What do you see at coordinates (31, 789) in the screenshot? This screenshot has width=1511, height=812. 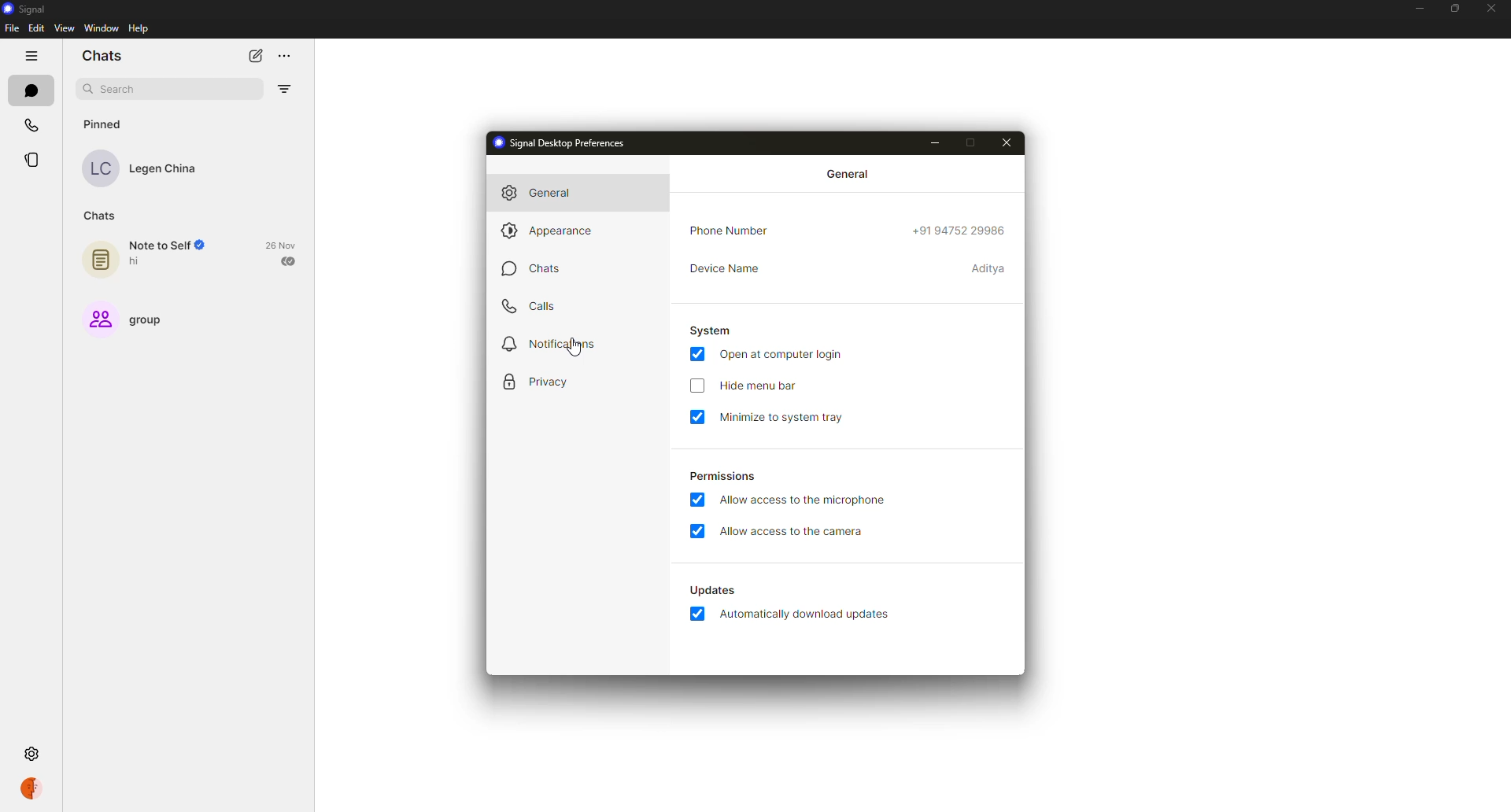 I see `profile` at bounding box center [31, 789].